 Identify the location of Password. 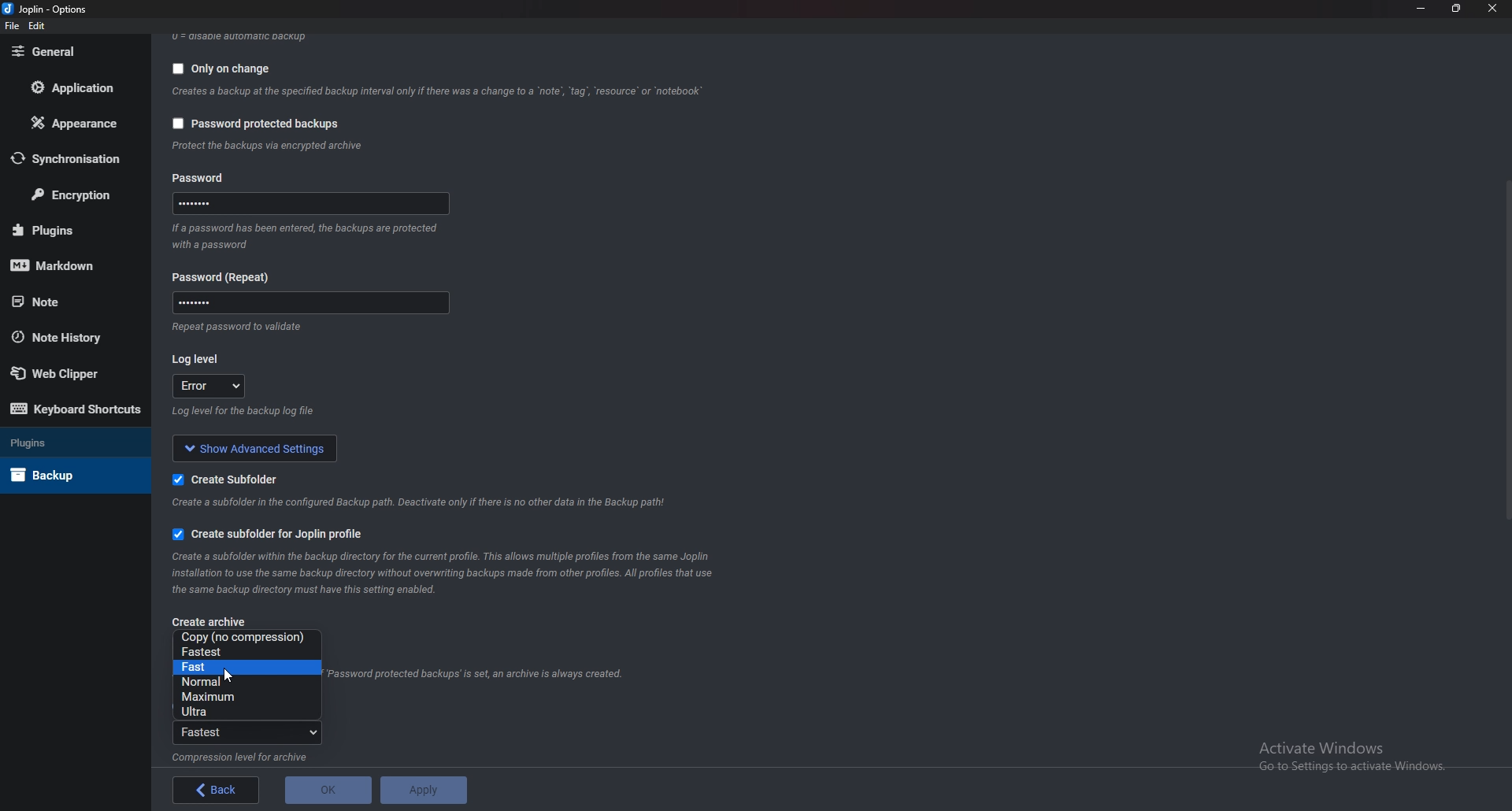
(309, 206).